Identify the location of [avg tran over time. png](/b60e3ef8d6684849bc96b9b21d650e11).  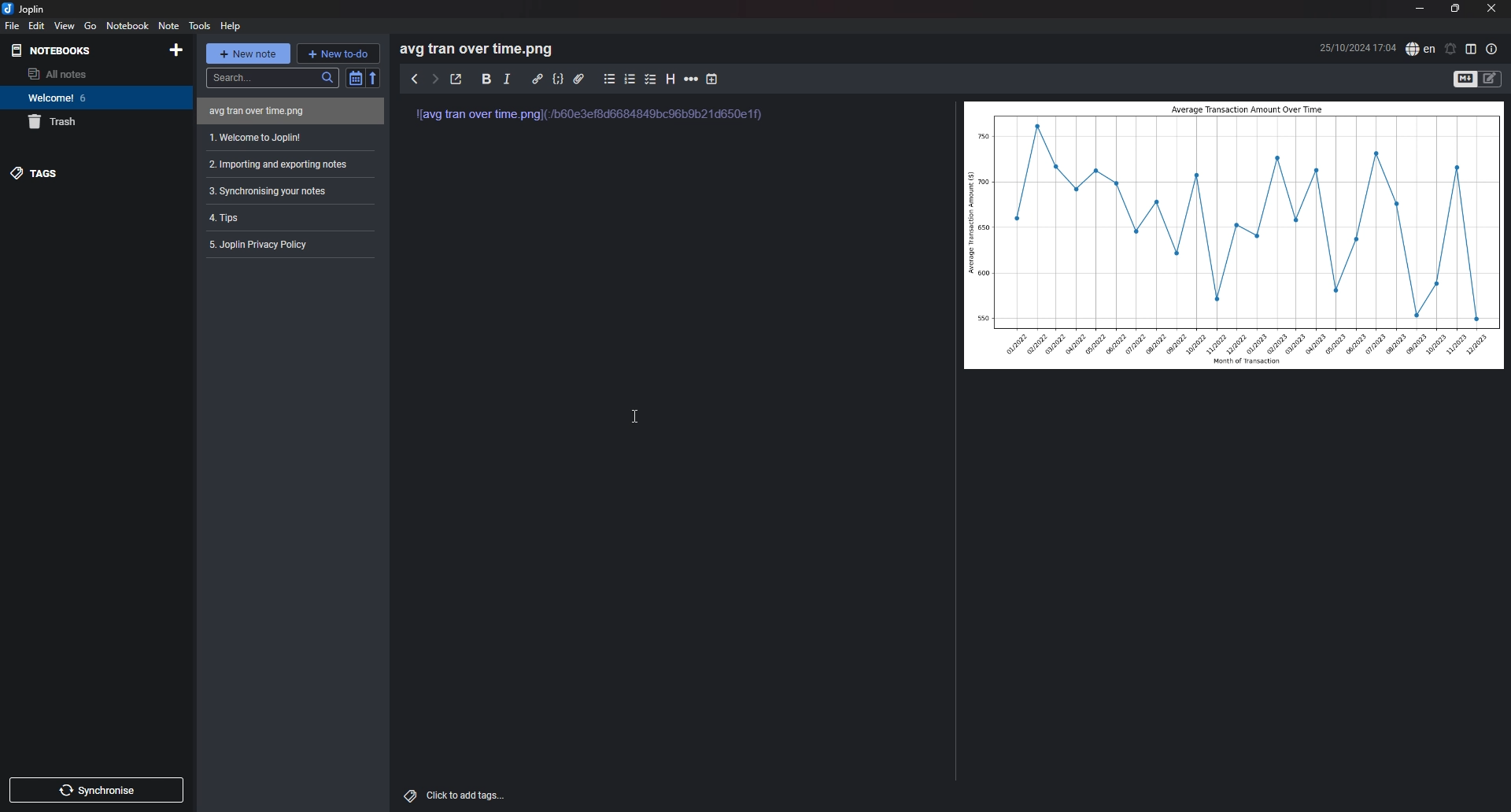
(598, 121).